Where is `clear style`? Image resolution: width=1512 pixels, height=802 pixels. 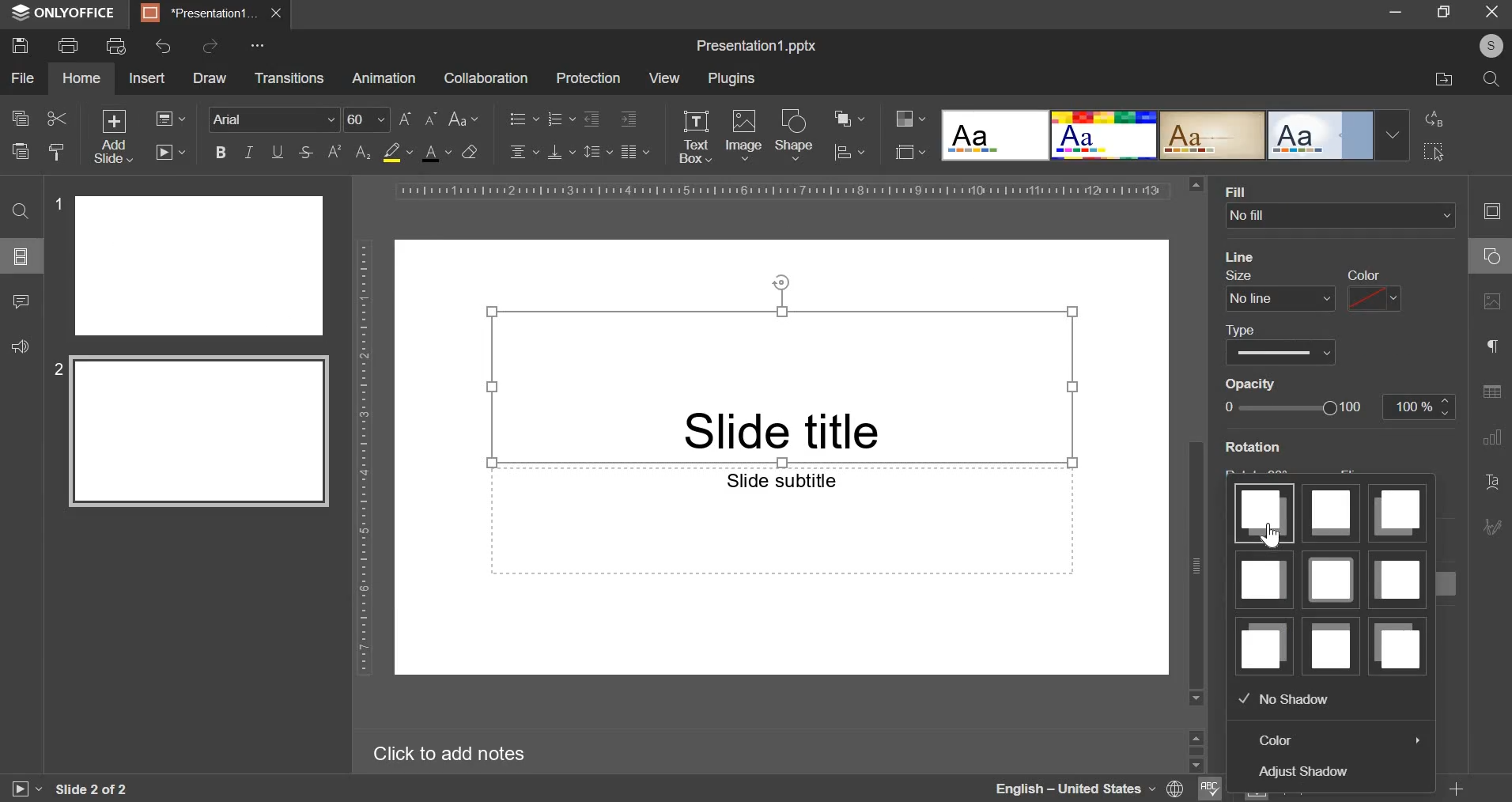 clear style is located at coordinates (470, 151).